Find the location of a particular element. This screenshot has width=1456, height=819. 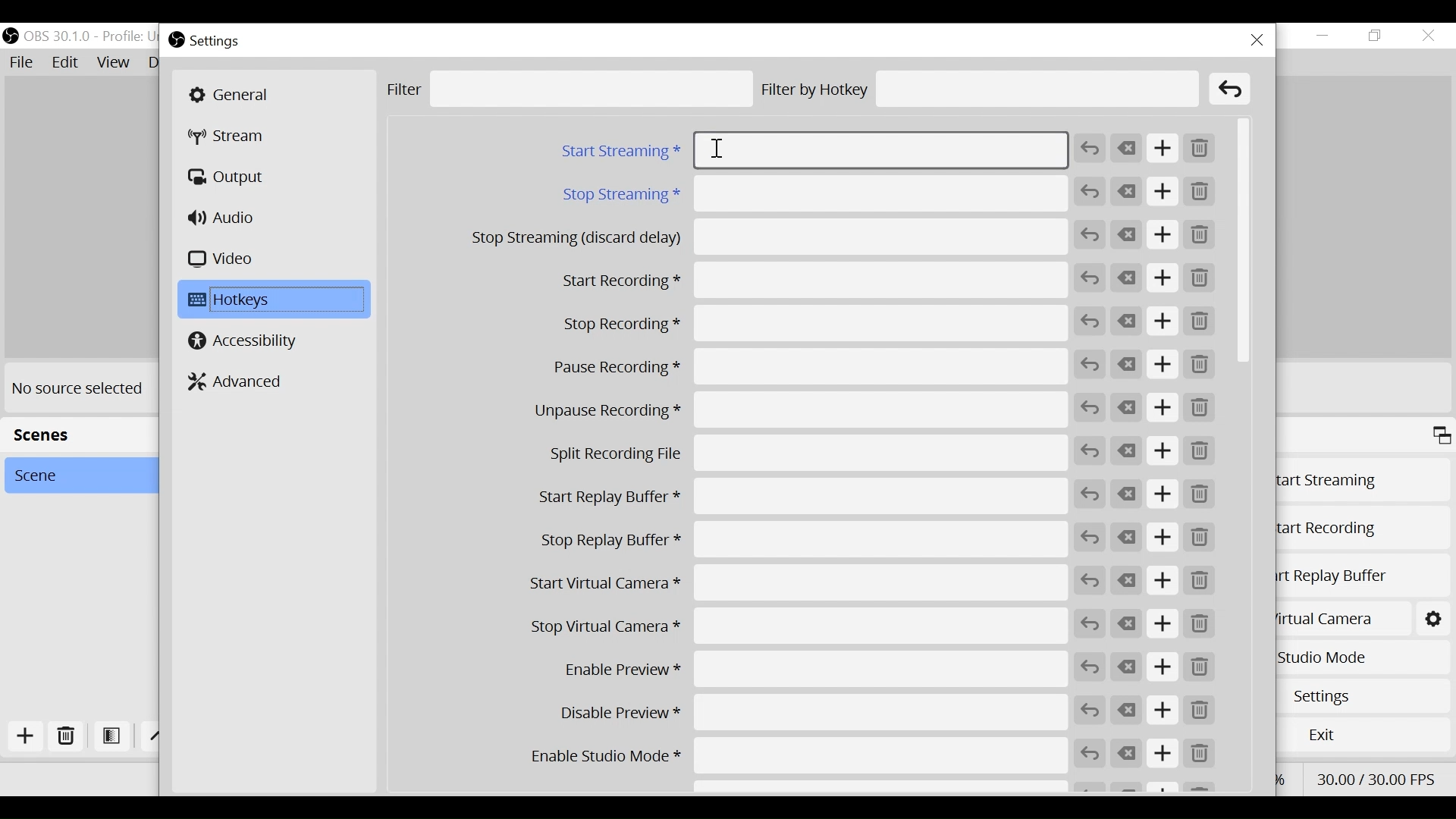

Revert is located at coordinates (1091, 581).